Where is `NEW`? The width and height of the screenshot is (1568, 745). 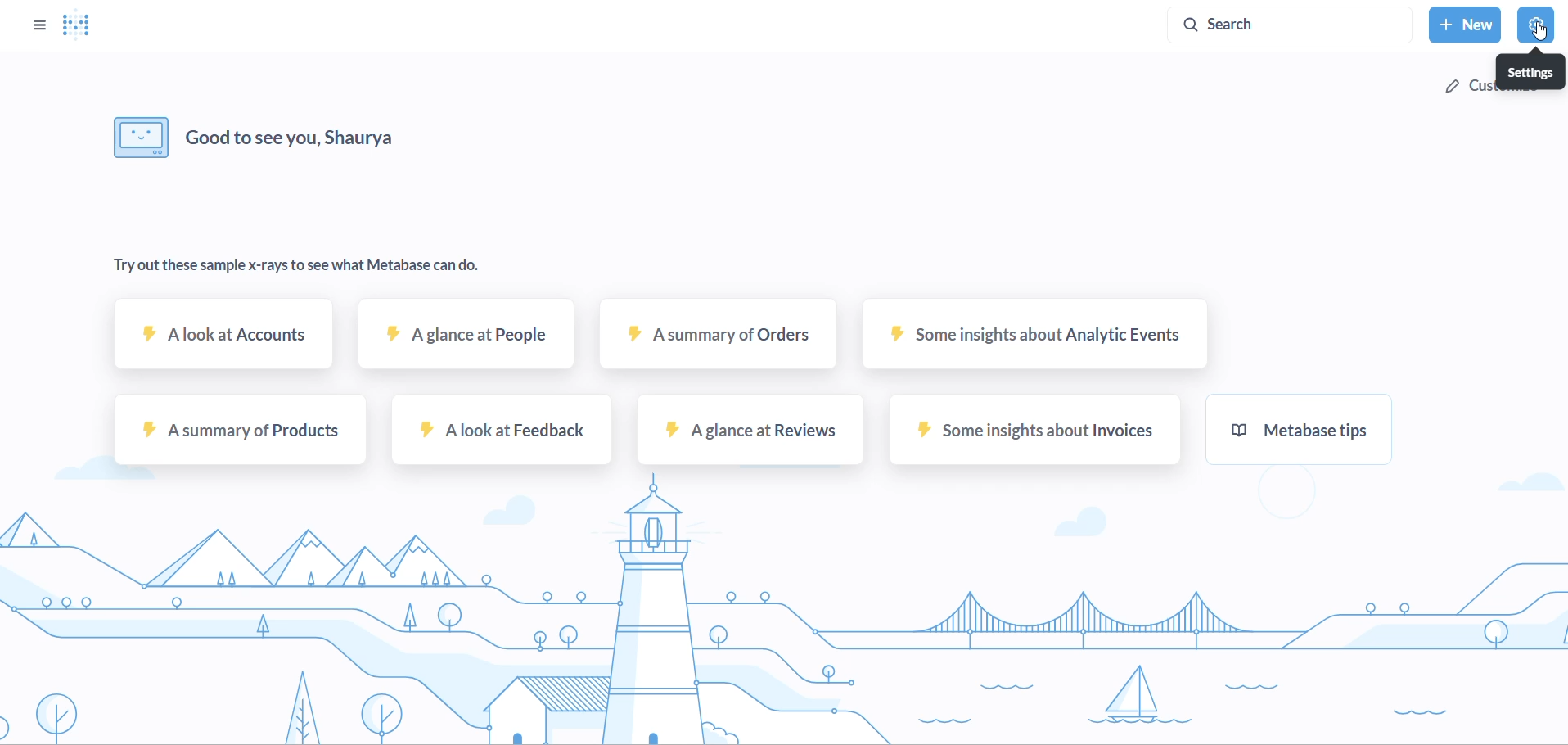 NEW is located at coordinates (1464, 25).